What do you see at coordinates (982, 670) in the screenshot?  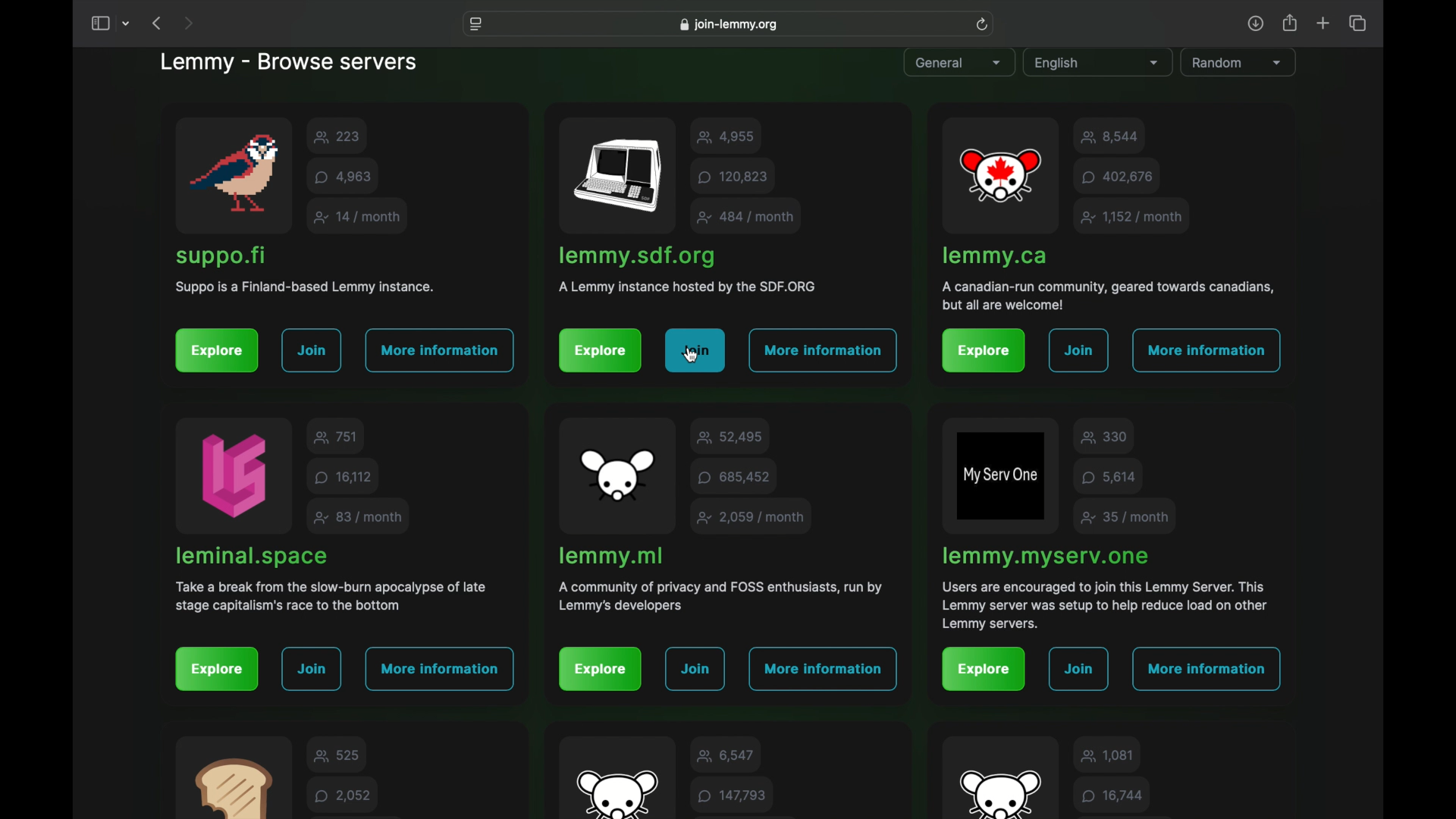 I see `explore` at bounding box center [982, 670].